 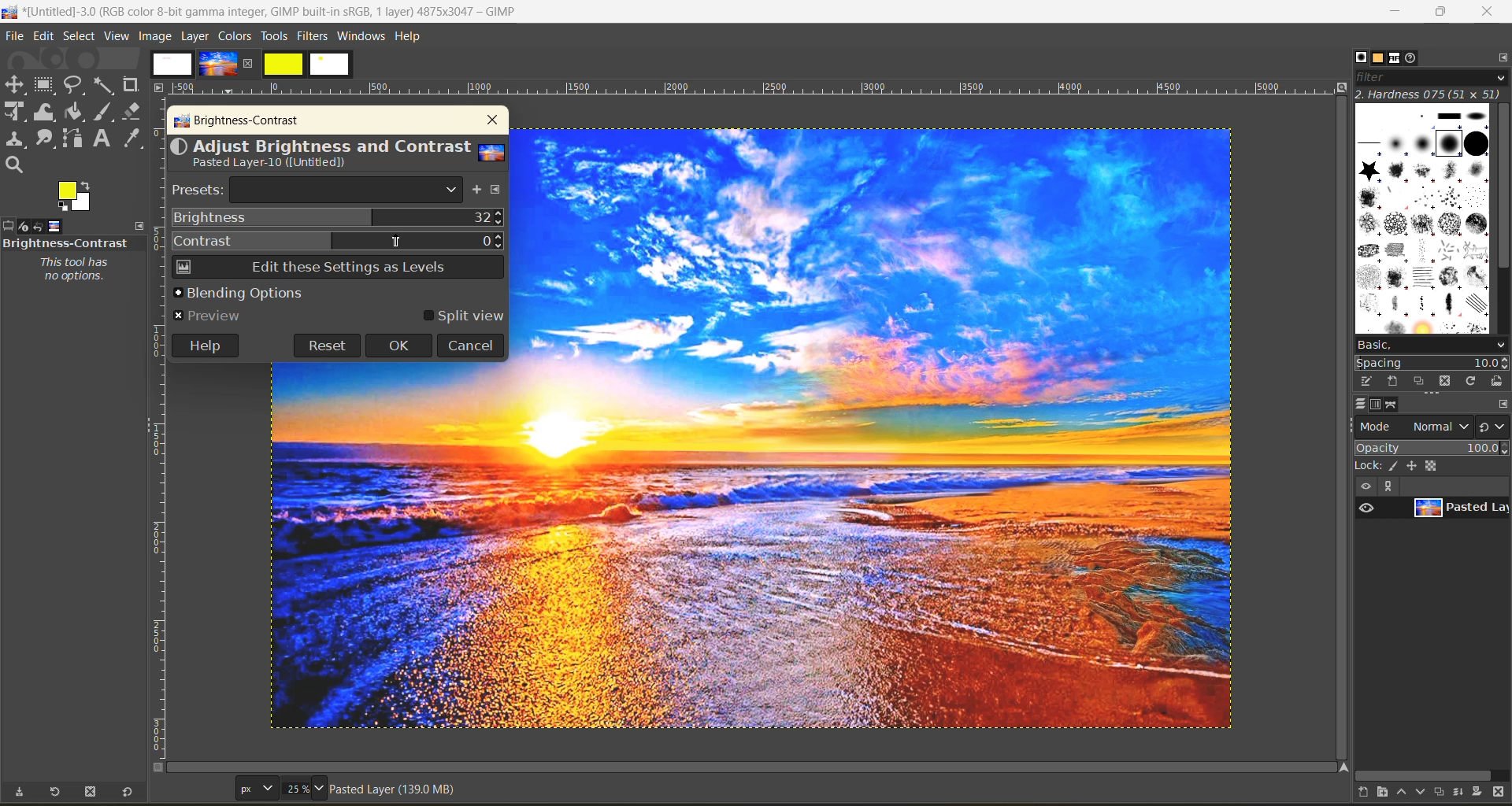 I want to click on create a new brush, so click(x=1391, y=380).